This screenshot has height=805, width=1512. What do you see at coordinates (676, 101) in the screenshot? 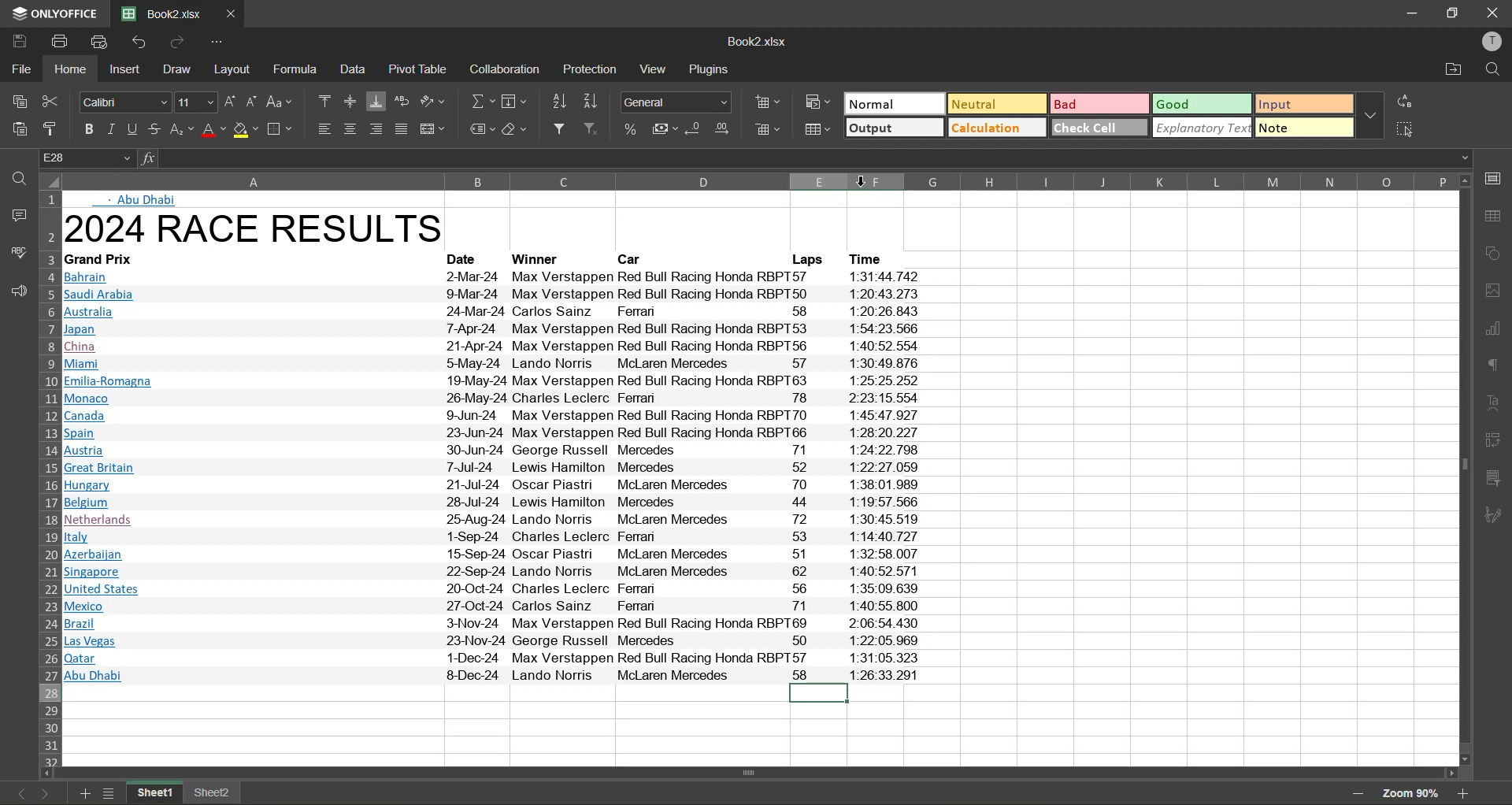
I see `number format` at bounding box center [676, 101].